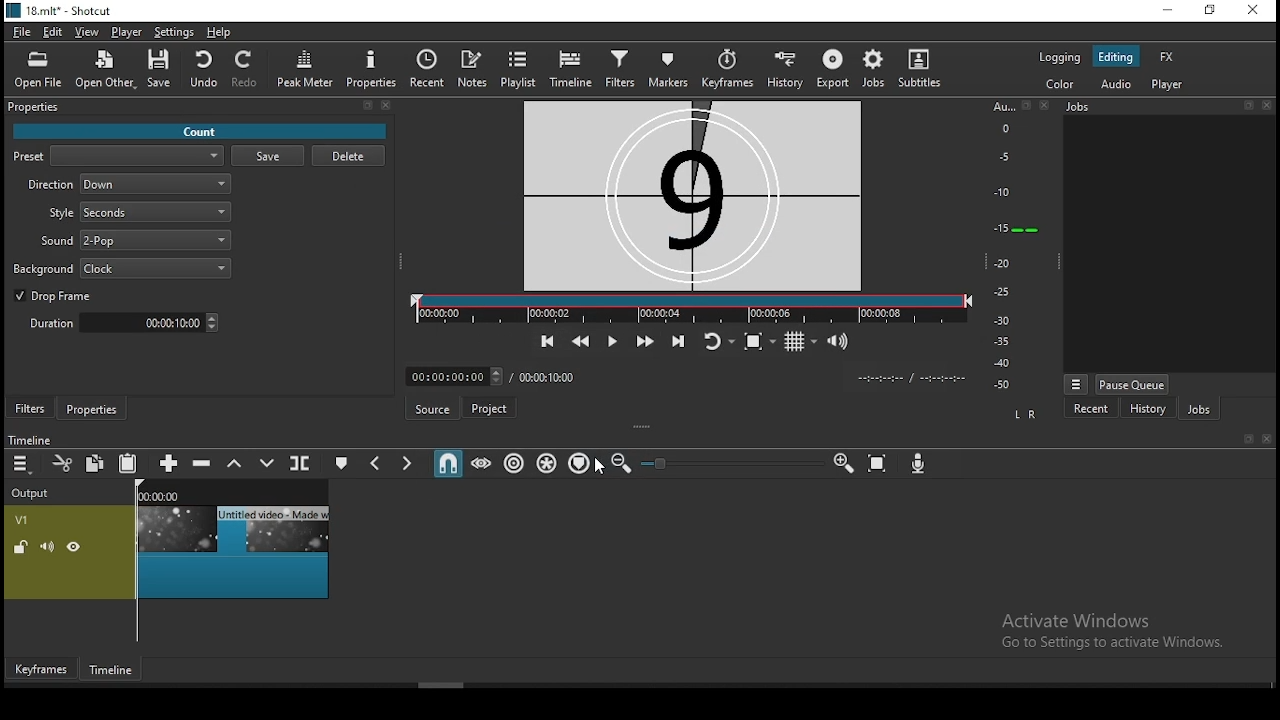 This screenshot has width=1280, height=720. What do you see at coordinates (1209, 12) in the screenshot?
I see `restore` at bounding box center [1209, 12].